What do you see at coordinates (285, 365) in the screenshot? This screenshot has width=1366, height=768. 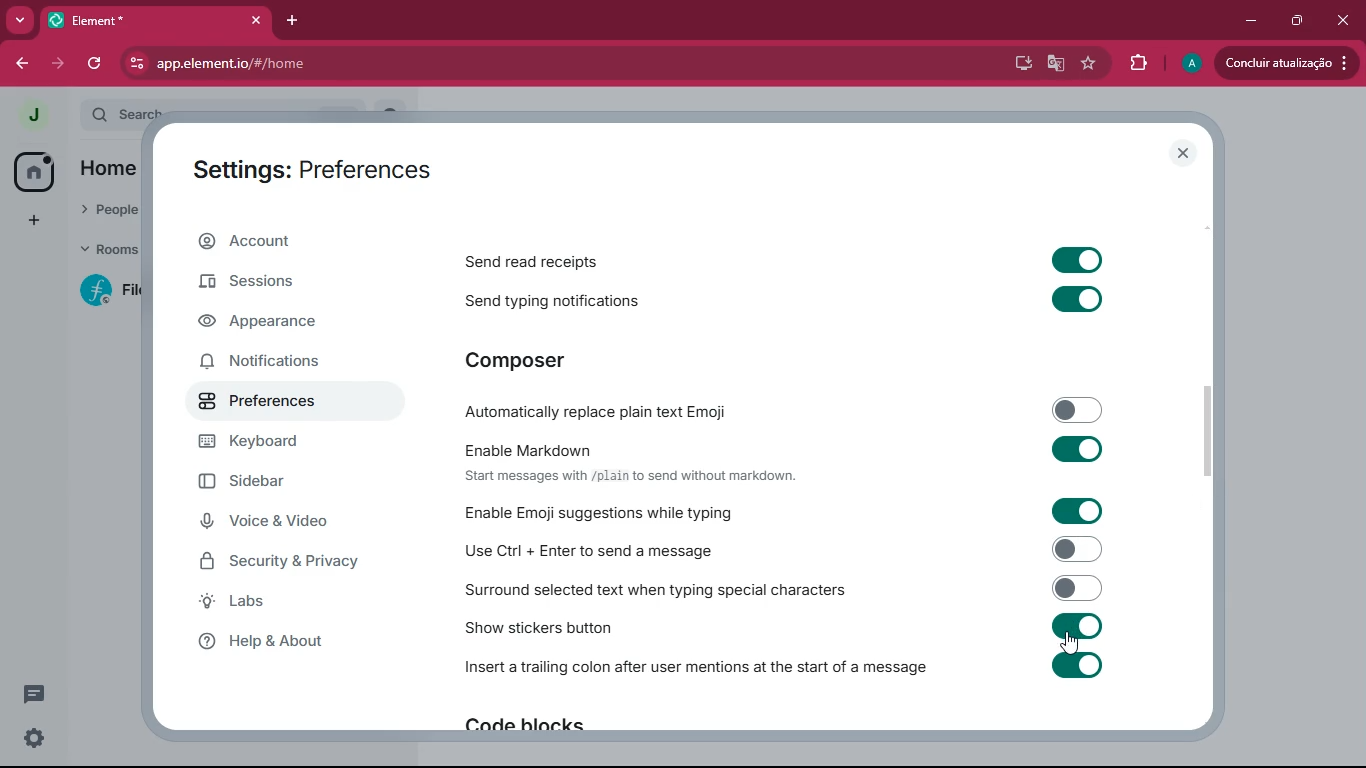 I see `notifications` at bounding box center [285, 365].